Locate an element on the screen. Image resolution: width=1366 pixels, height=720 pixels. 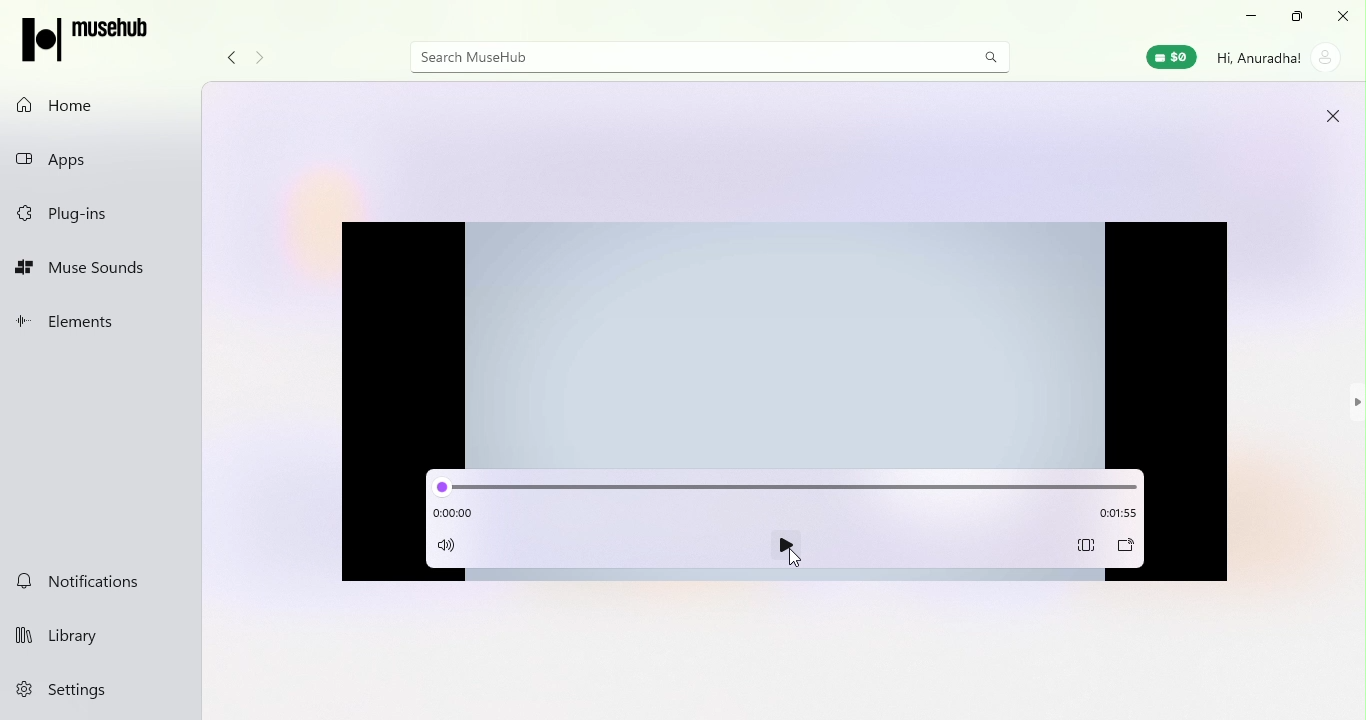
Muse wallet is located at coordinates (1168, 58).